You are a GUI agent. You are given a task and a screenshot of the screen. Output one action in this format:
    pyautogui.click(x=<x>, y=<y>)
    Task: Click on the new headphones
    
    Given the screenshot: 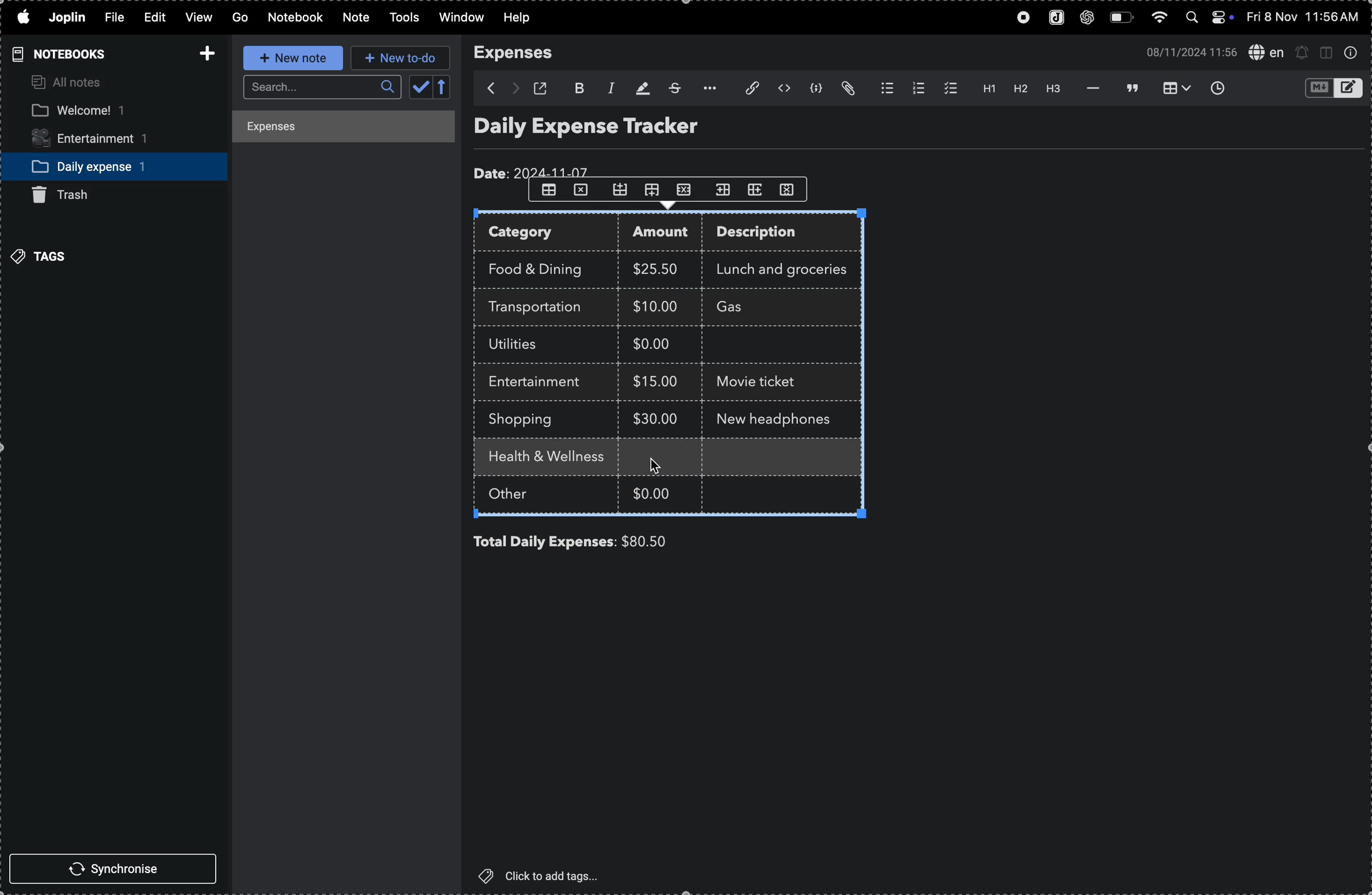 What is the action you would take?
    pyautogui.click(x=780, y=417)
    